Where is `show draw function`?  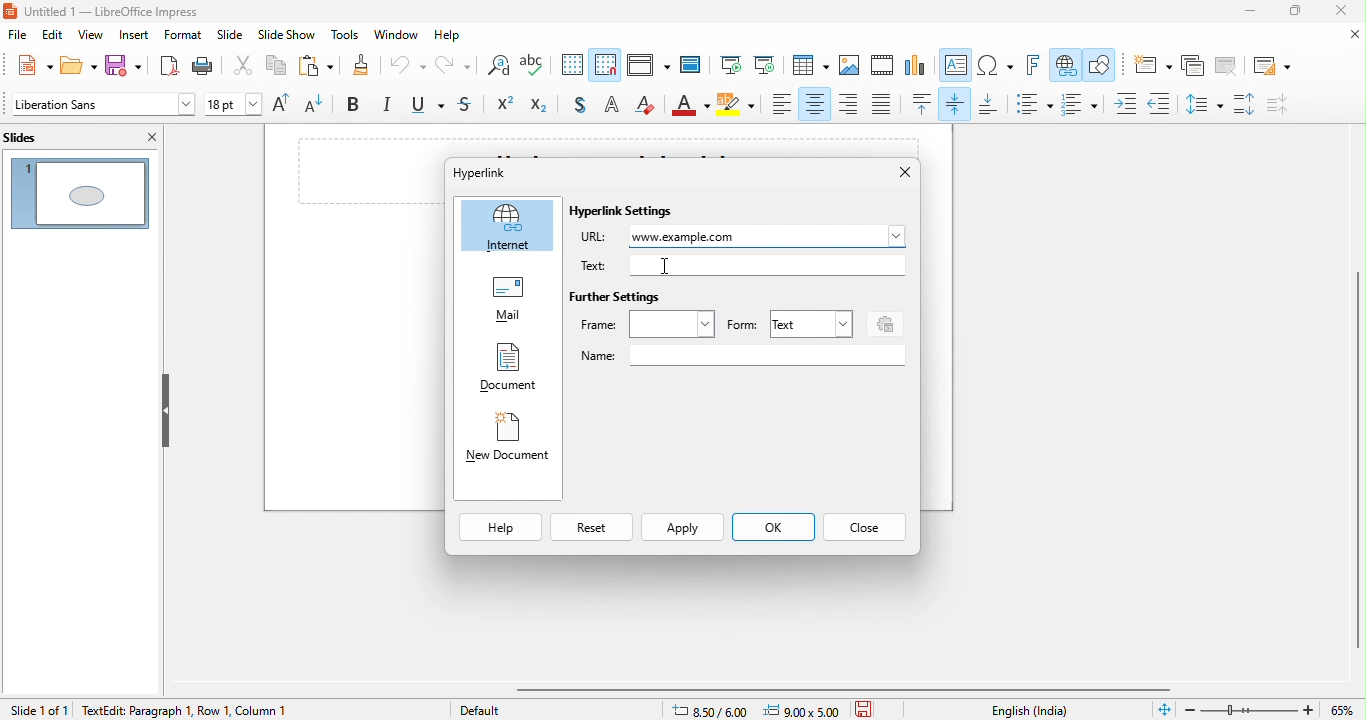 show draw function is located at coordinates (1101, 67).